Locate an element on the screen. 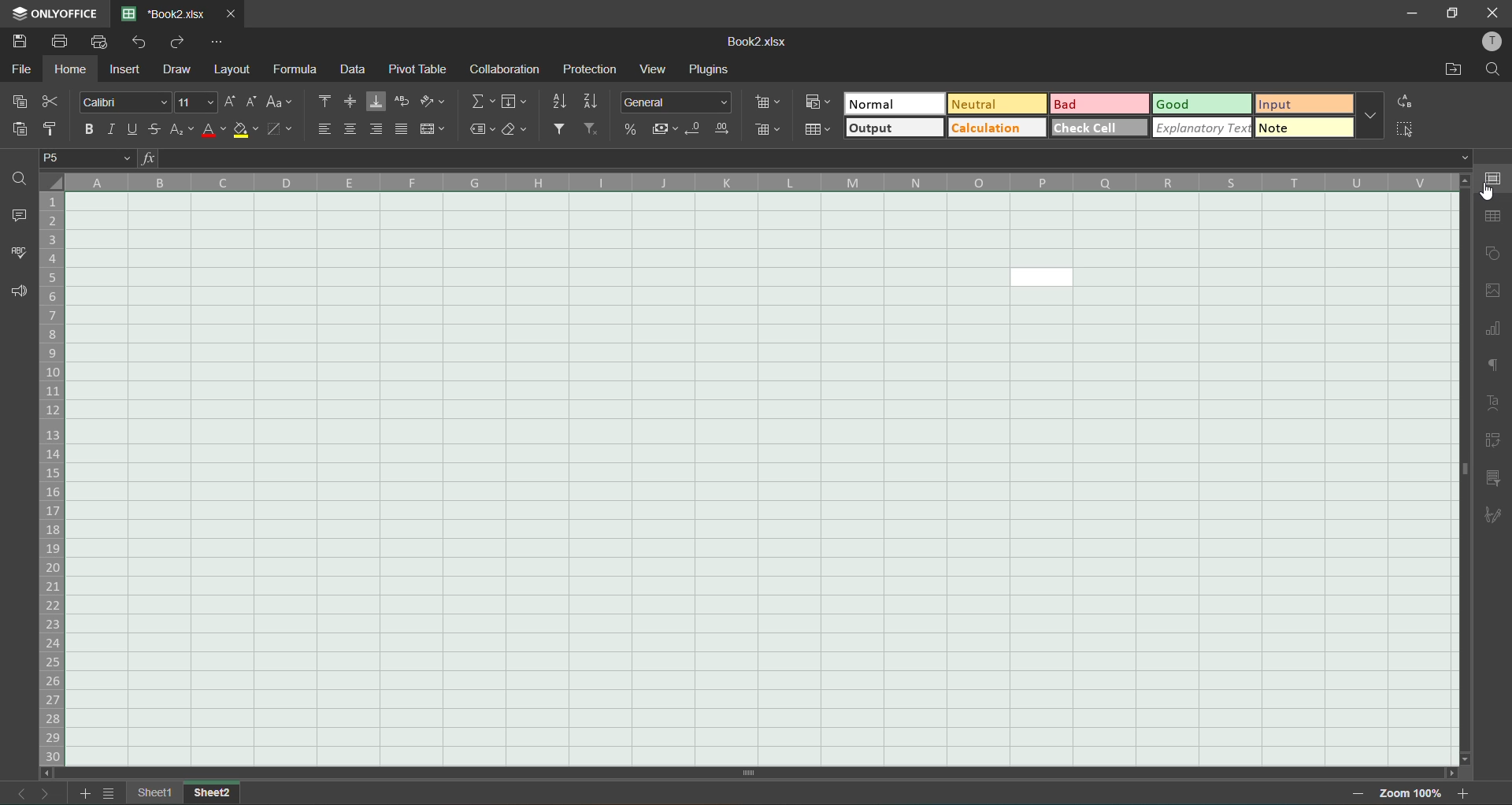 The width and height of the screenshot is (1512, 805). align bottom is located at coordinates (379, 100).